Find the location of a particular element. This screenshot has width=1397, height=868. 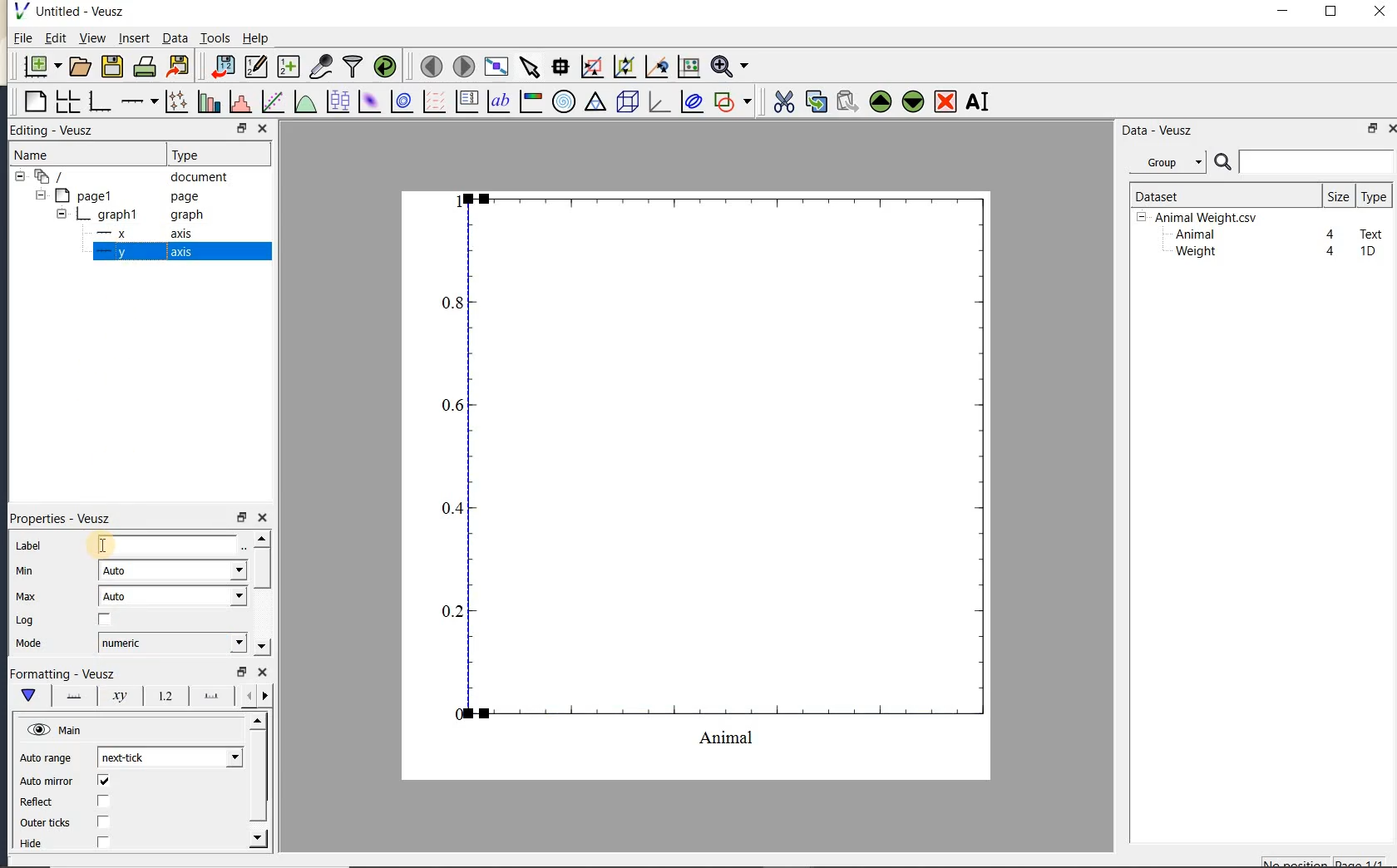

close is located at coordinates (1380, 12).